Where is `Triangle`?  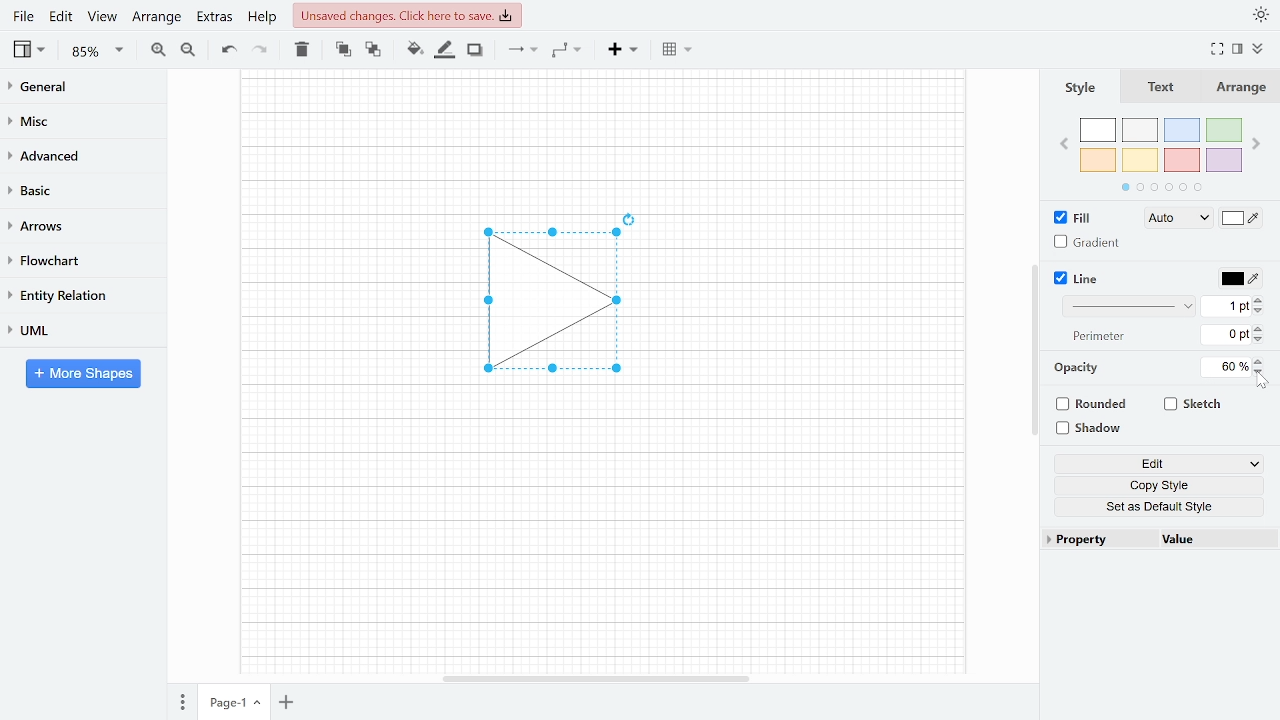
Triangle is located at coordinates (563, 307).